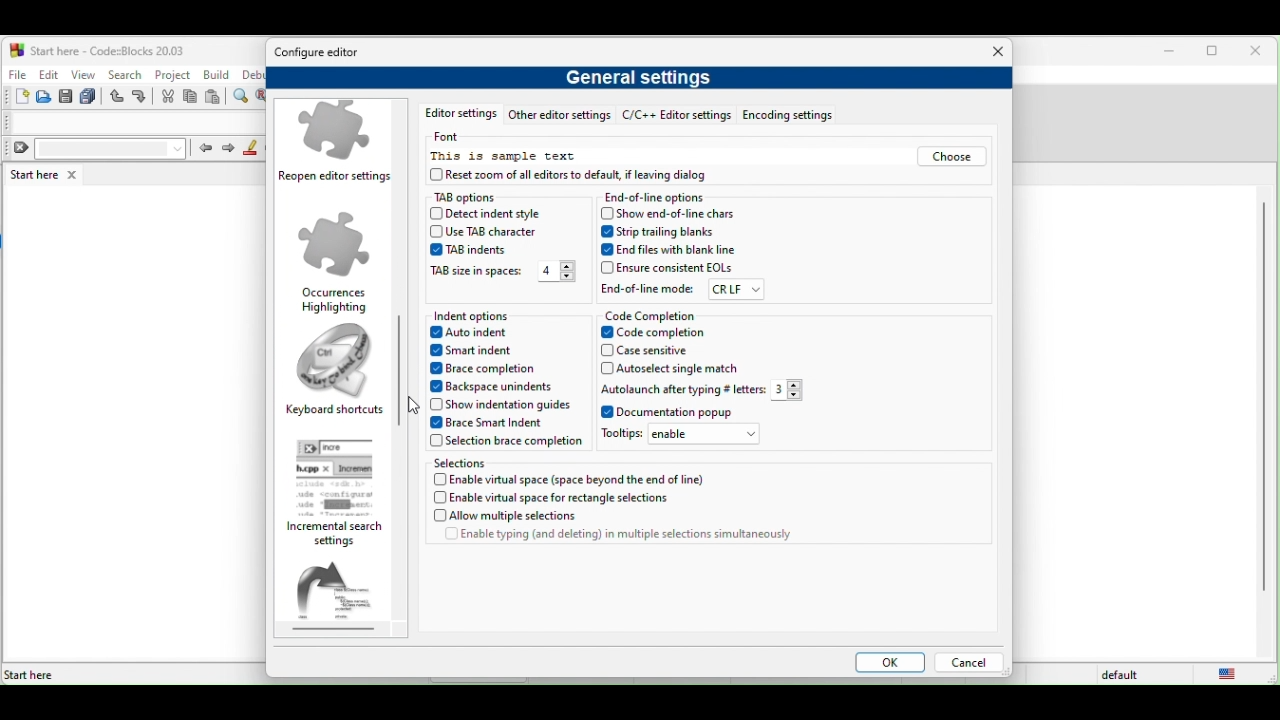 This screenshot has width=1280, height=720. I want to click on show indentation guide, so click(499, 404).